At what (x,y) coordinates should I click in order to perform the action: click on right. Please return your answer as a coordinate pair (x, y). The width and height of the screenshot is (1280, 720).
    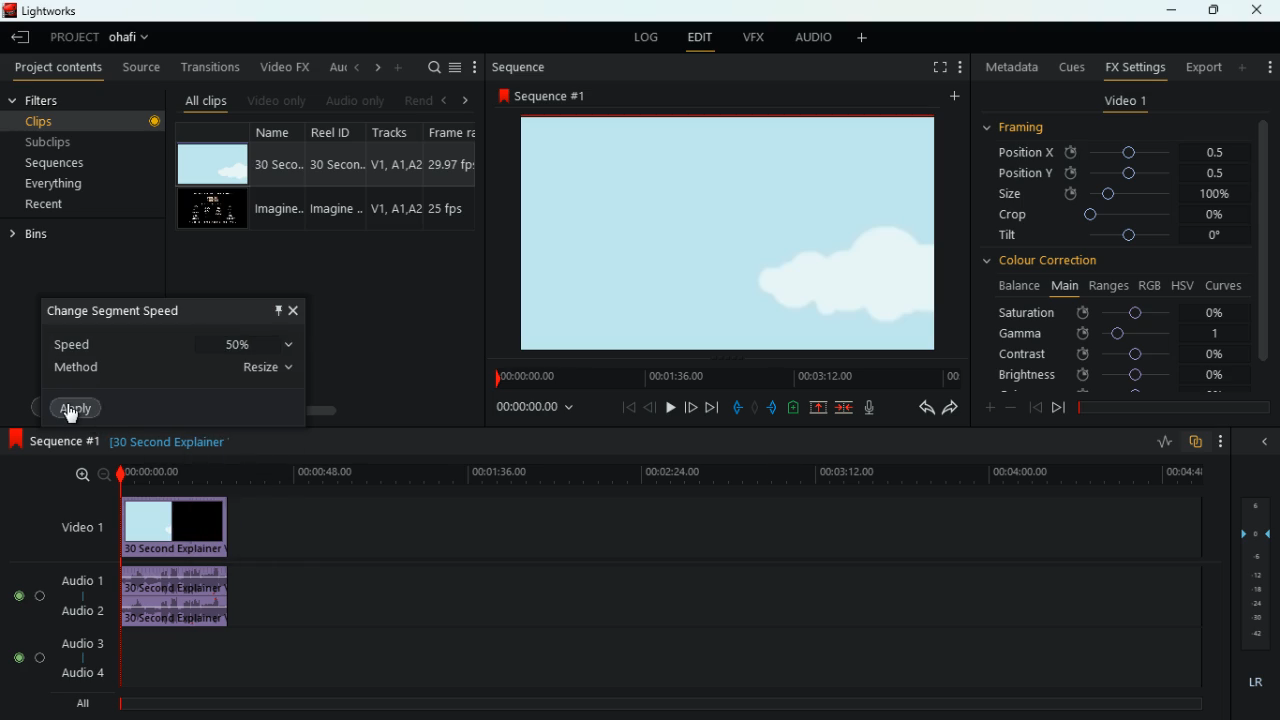
    Looking at the image, I should click on (465, 100).